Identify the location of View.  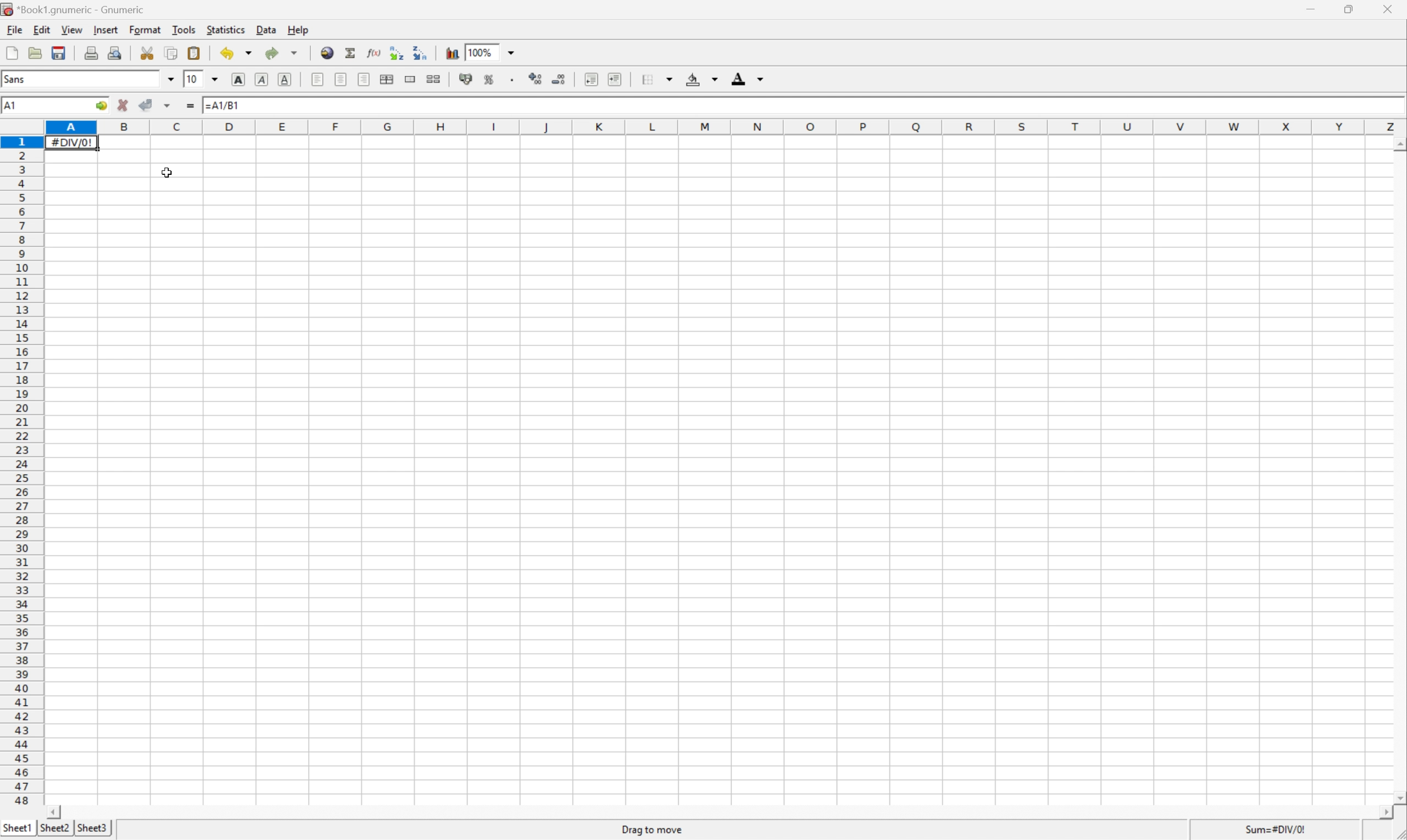
(72, 29).